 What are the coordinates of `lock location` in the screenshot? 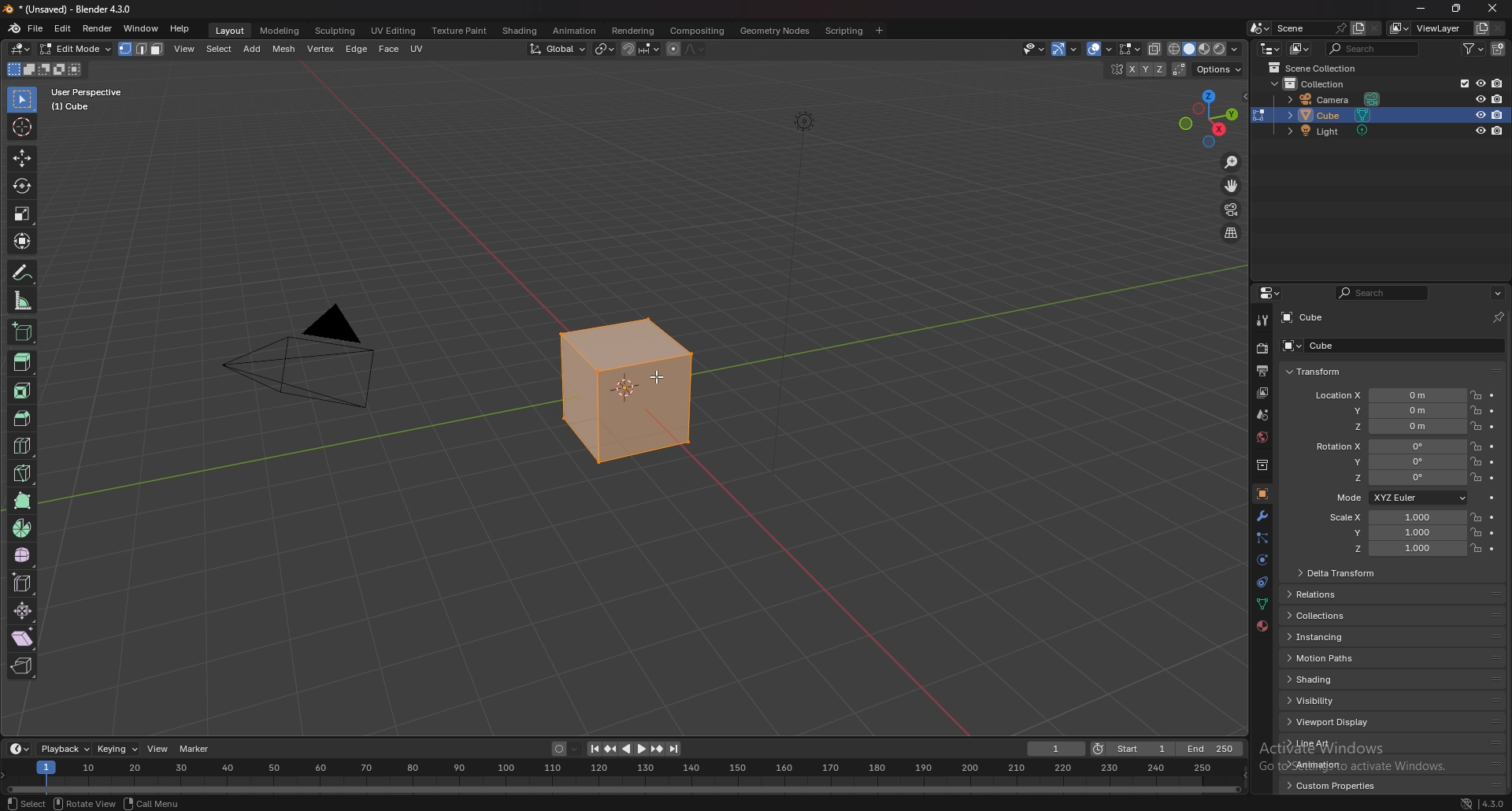 It's located at (1476, 395).